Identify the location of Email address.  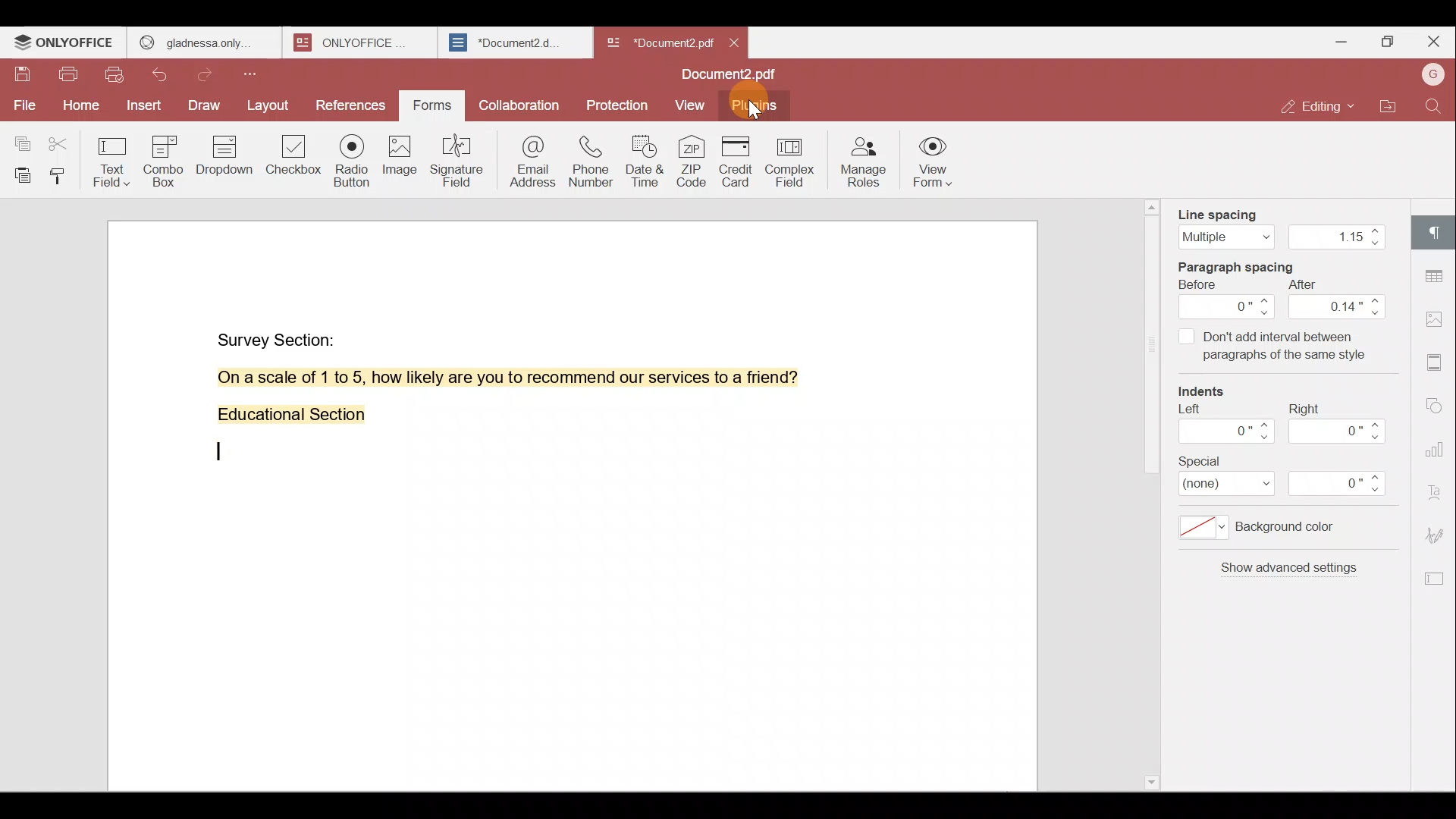
(526, 158).